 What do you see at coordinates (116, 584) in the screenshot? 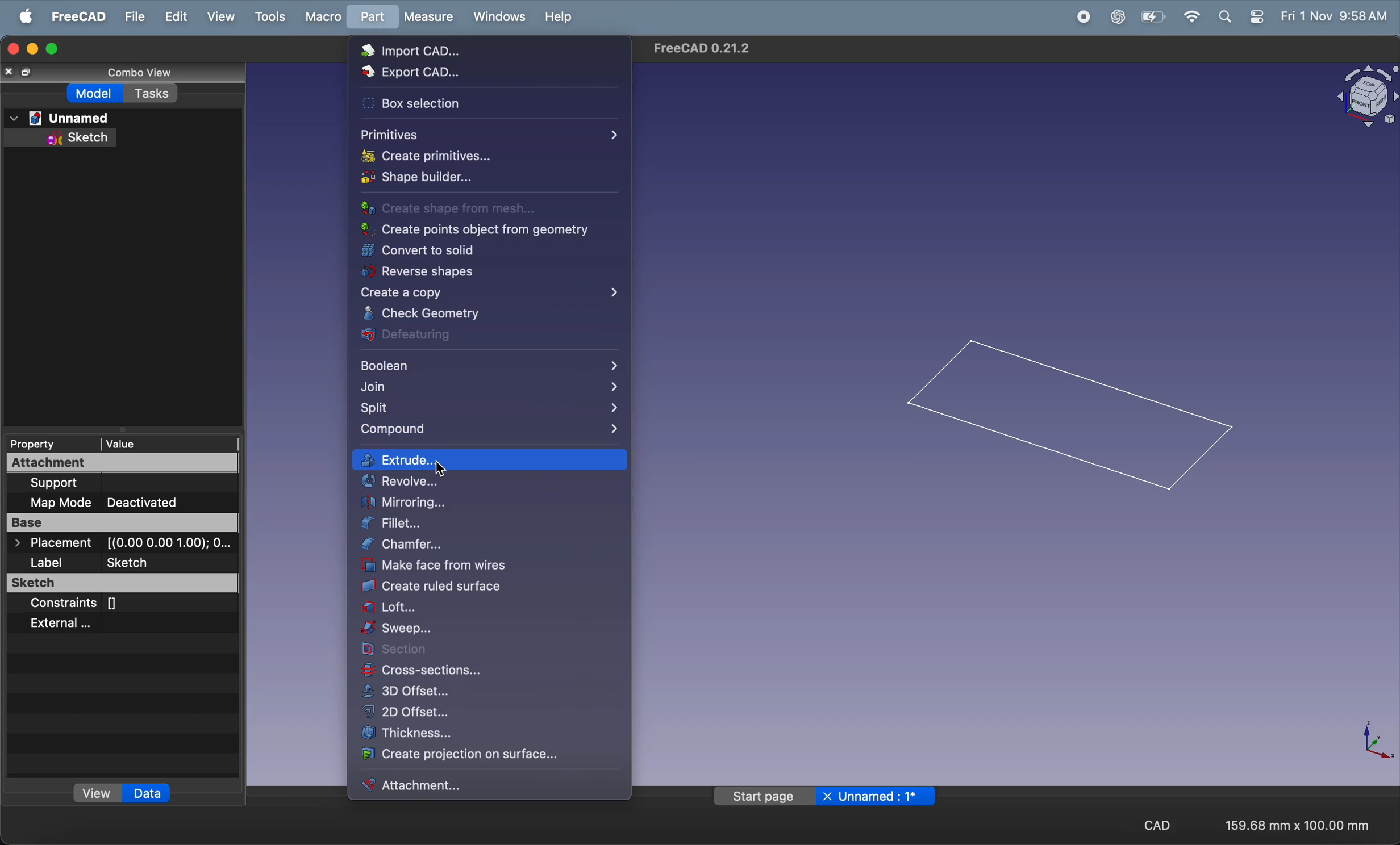
I see `sketch` at bounding box center [116, 584].